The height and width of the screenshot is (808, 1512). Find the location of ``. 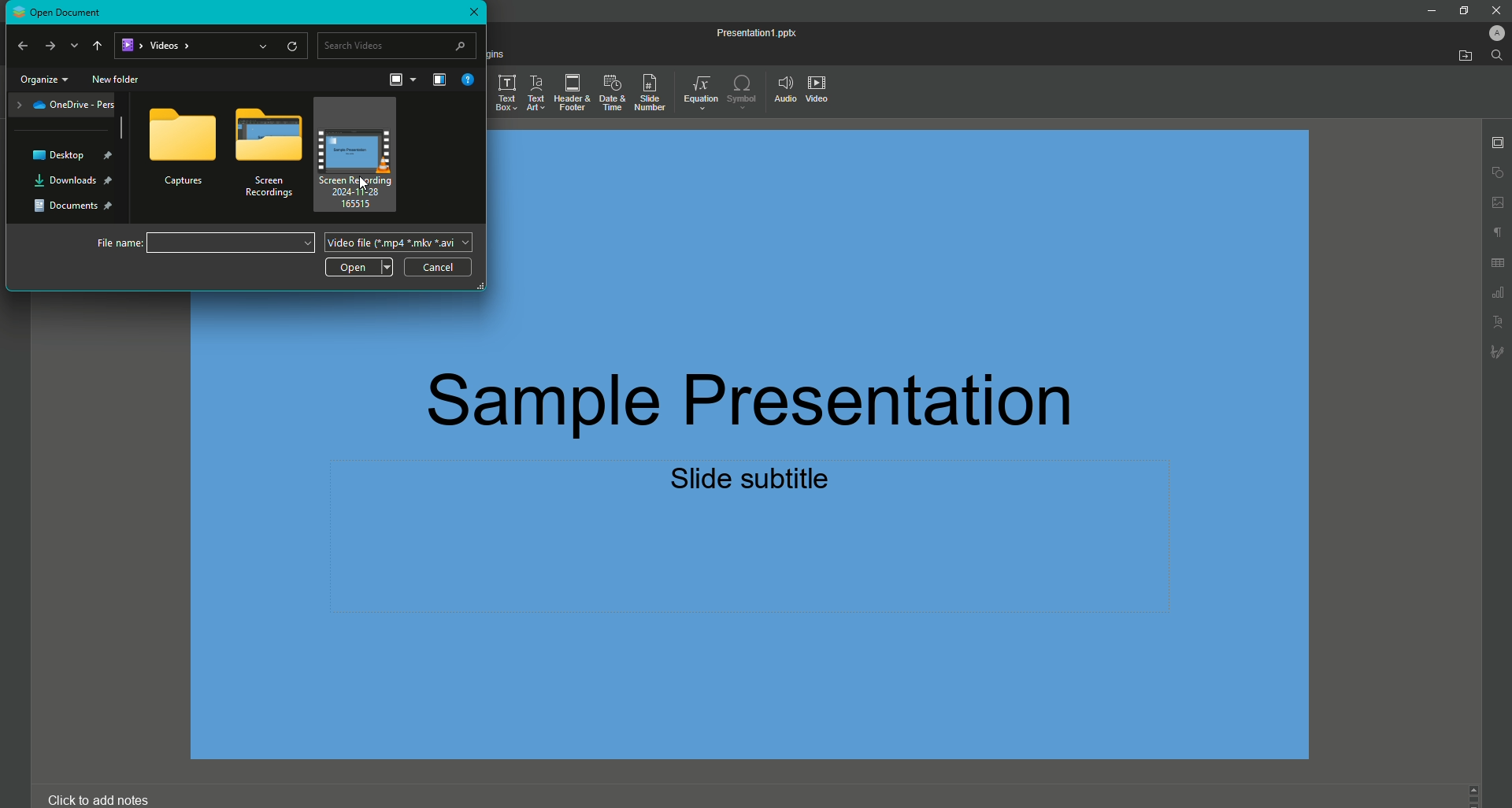

 is located at coordinates (1496, 9).